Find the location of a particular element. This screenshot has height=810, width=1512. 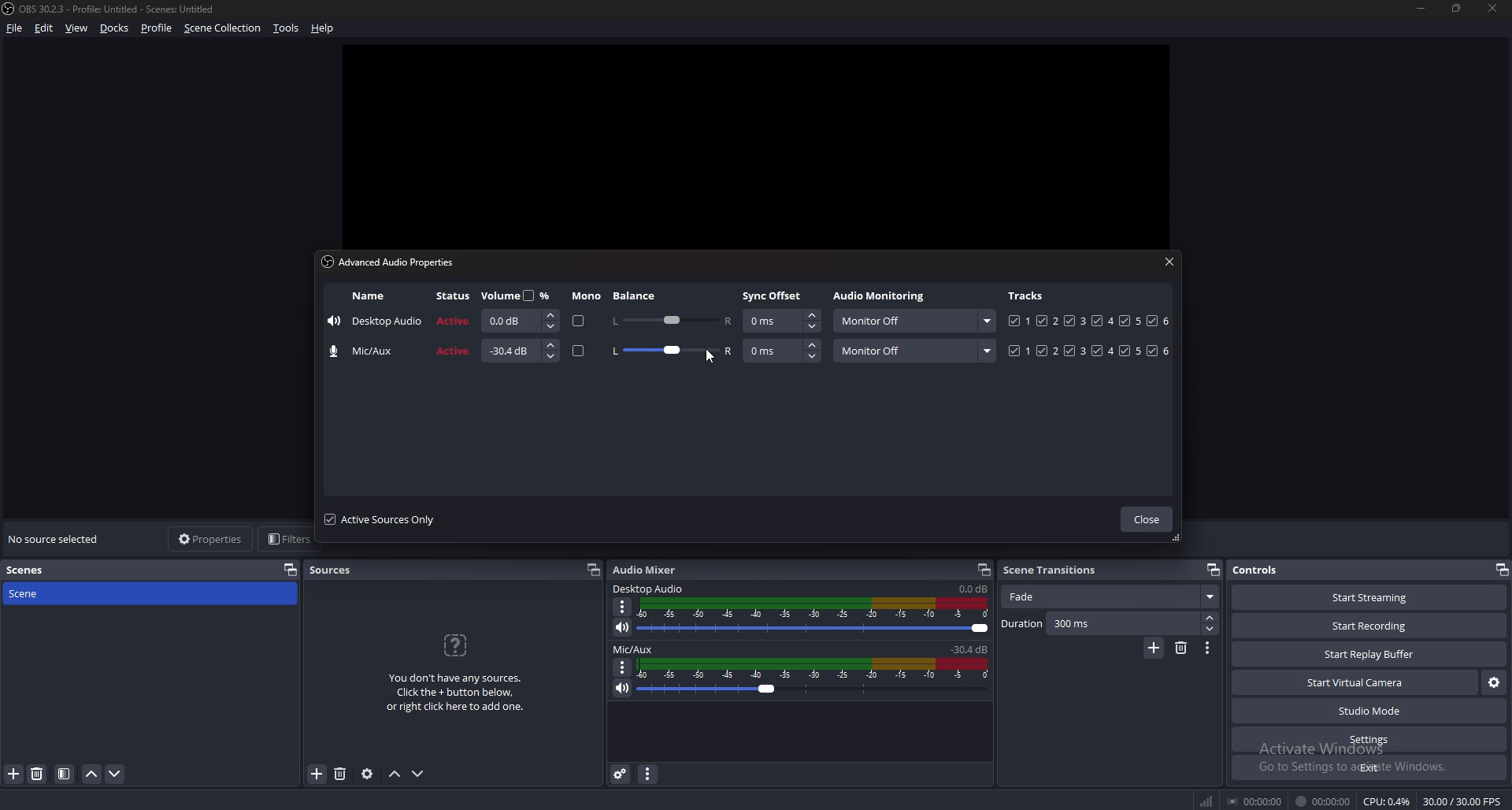

source properties is located at coordinates (367, 774).